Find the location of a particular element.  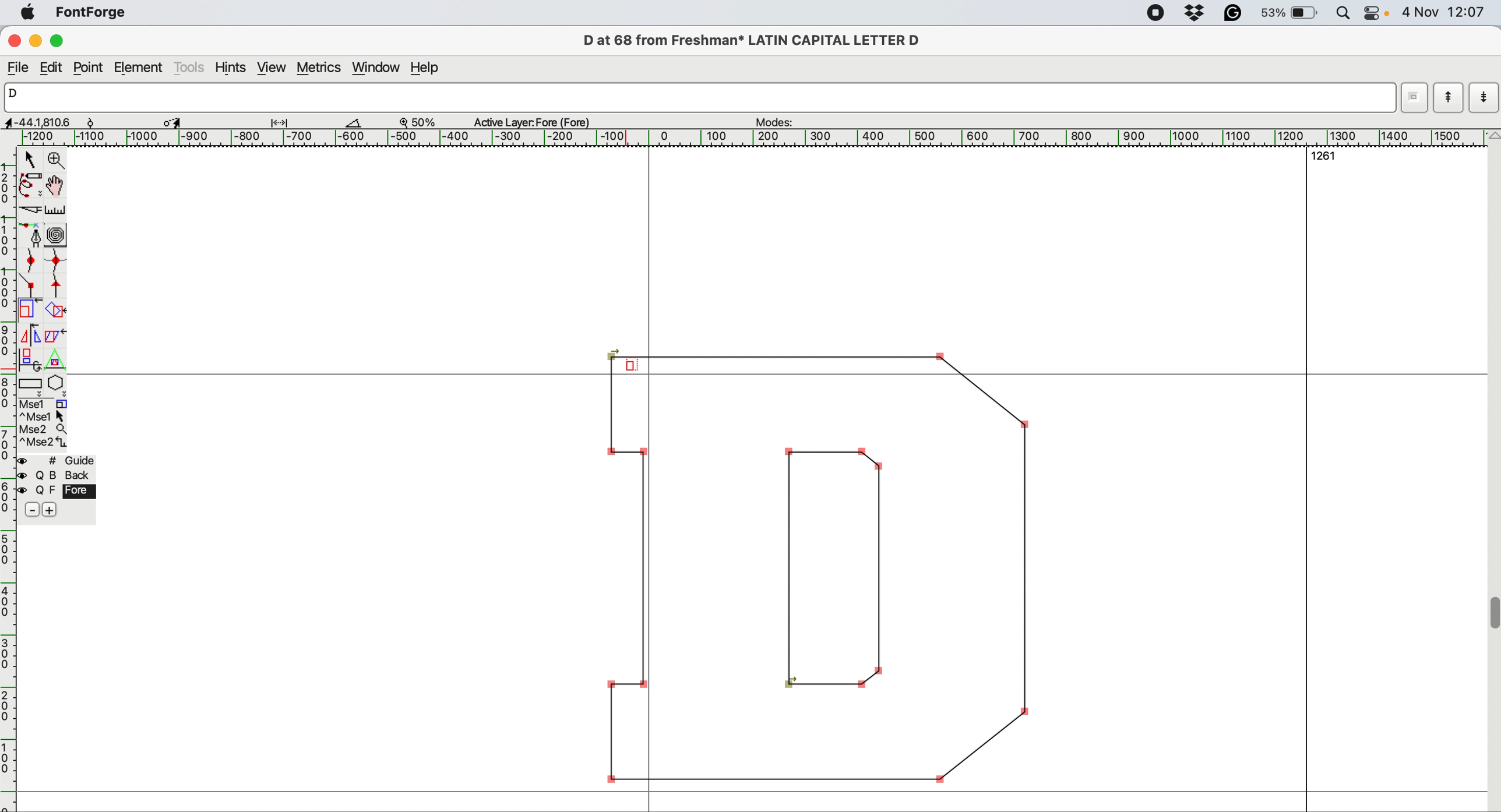

help is located at coordinates (430, 69).